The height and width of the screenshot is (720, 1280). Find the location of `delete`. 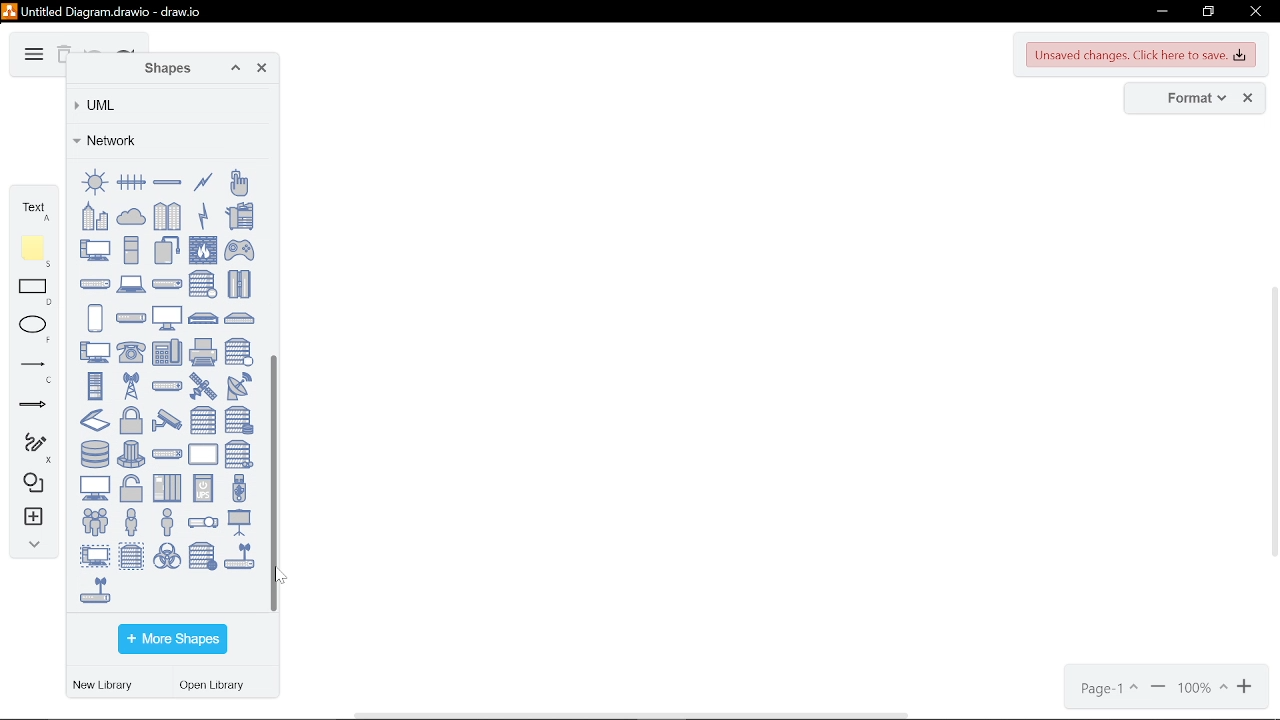

delete is located at coordinates (63, 56).